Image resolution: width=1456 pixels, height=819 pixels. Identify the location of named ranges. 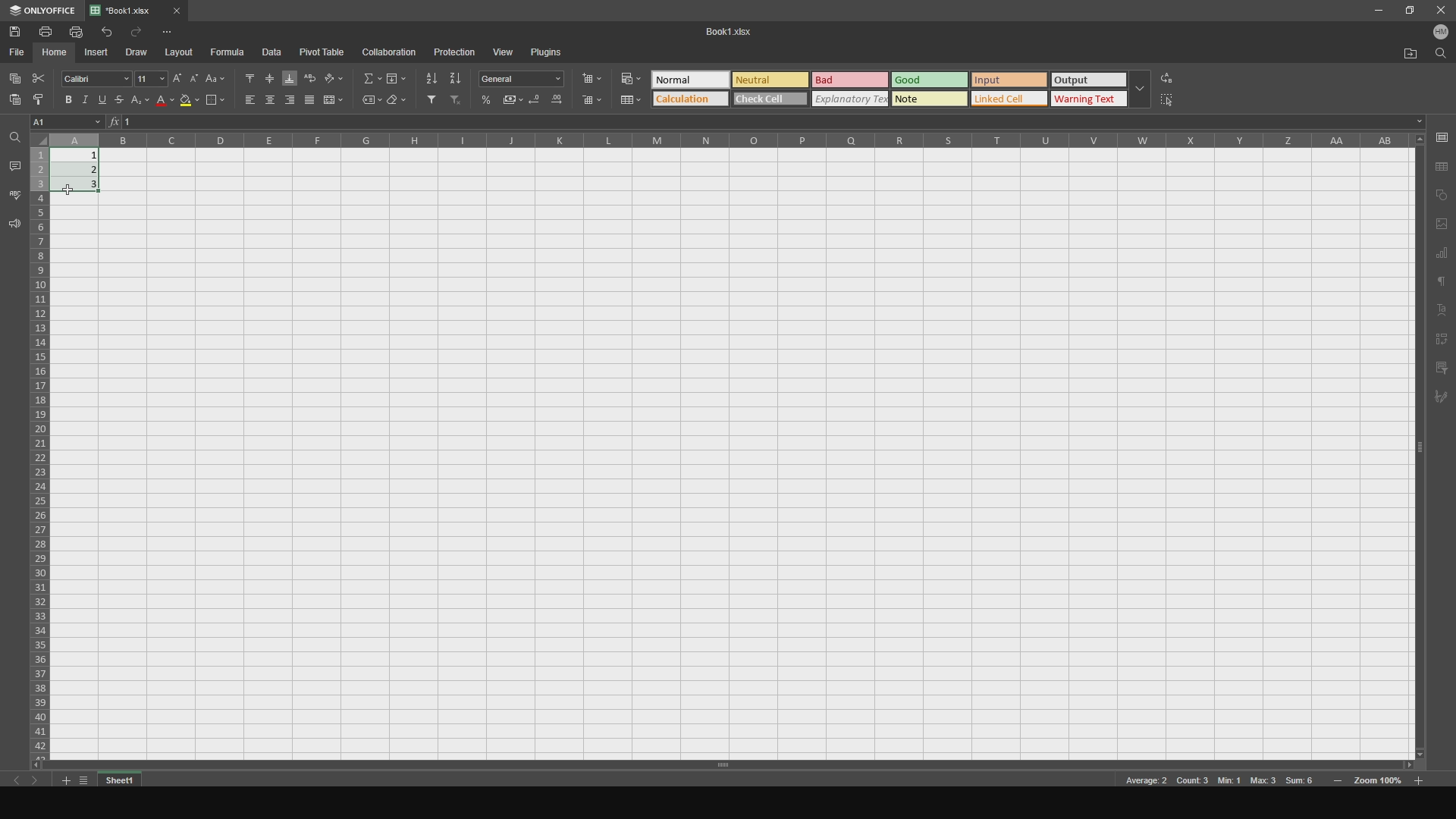
(366, 101).